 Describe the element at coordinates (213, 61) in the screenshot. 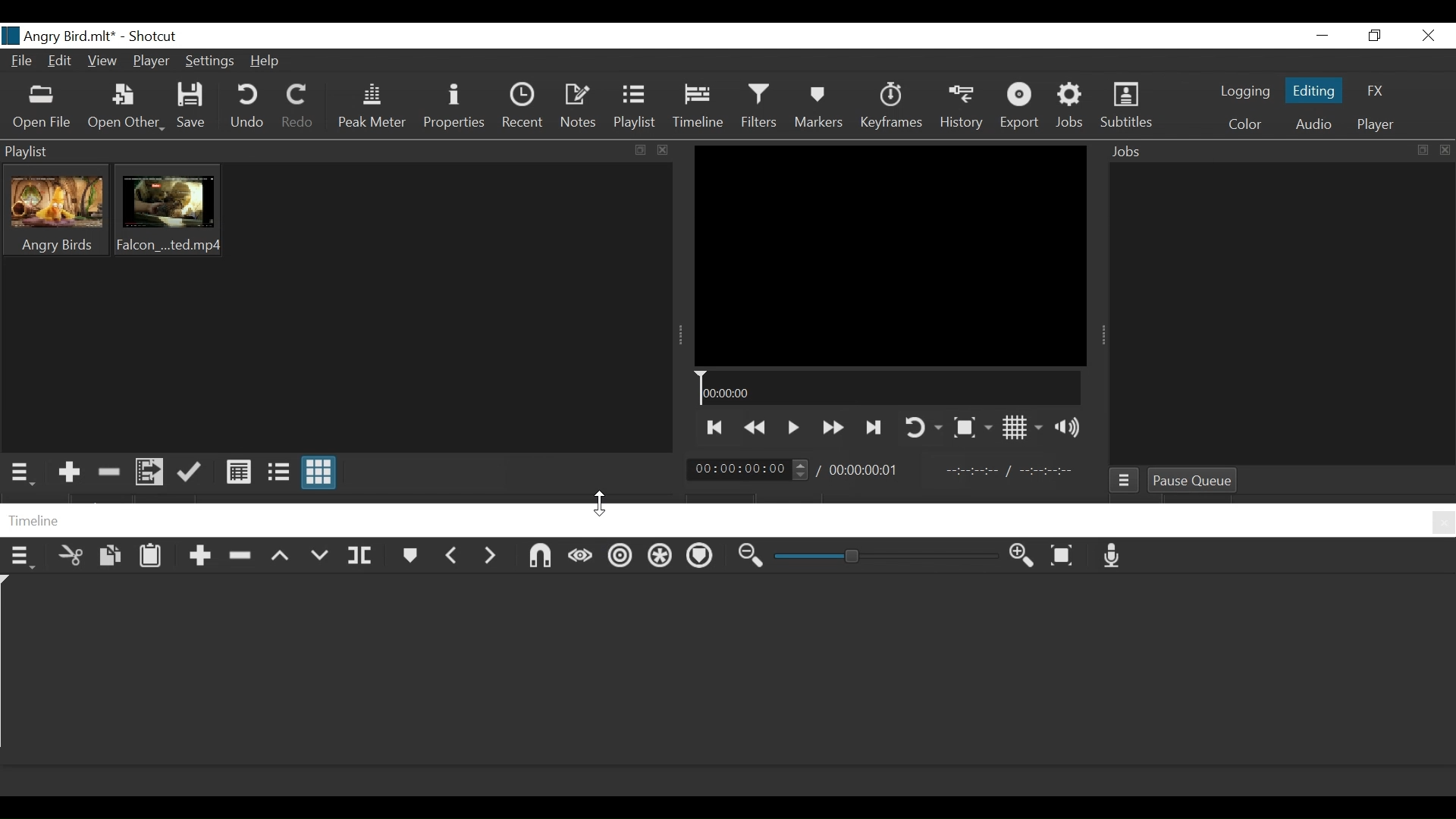

I see `Settings` at that location.